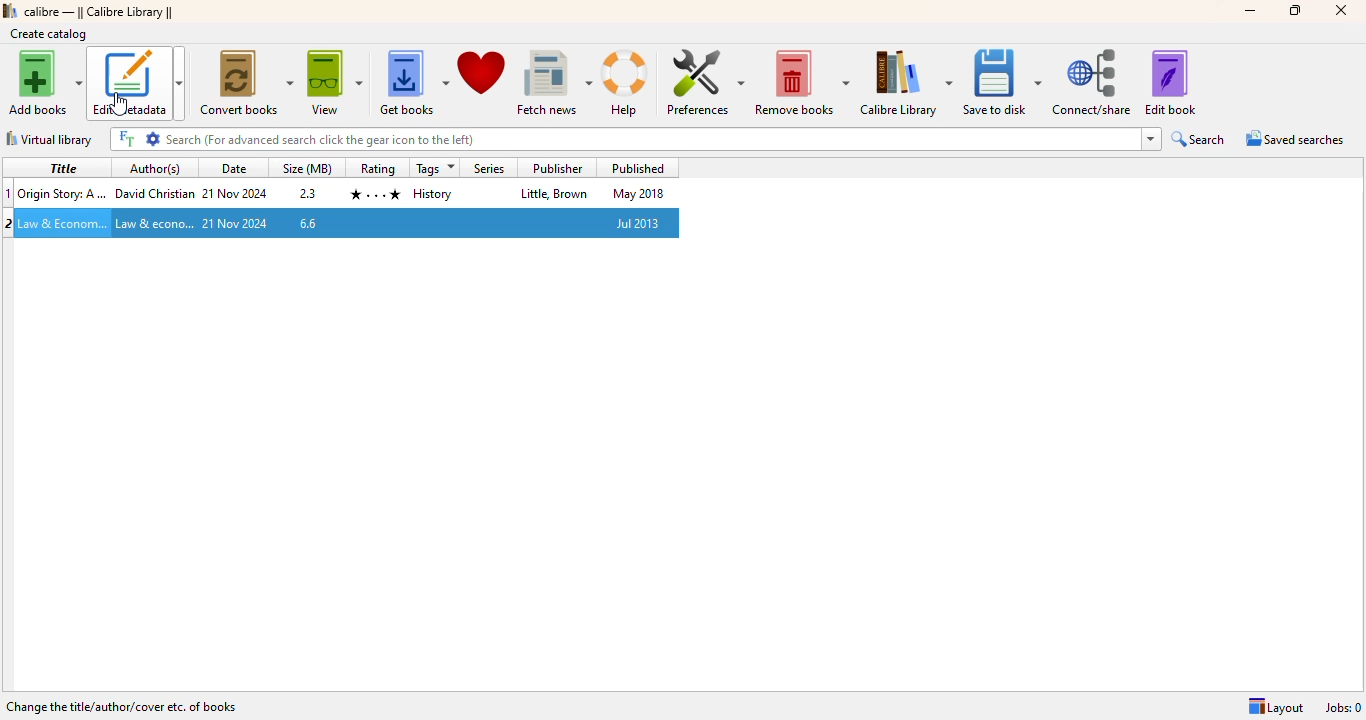 The image size is (1366, 720). I want to click on saved searches, so click(1293, 139).